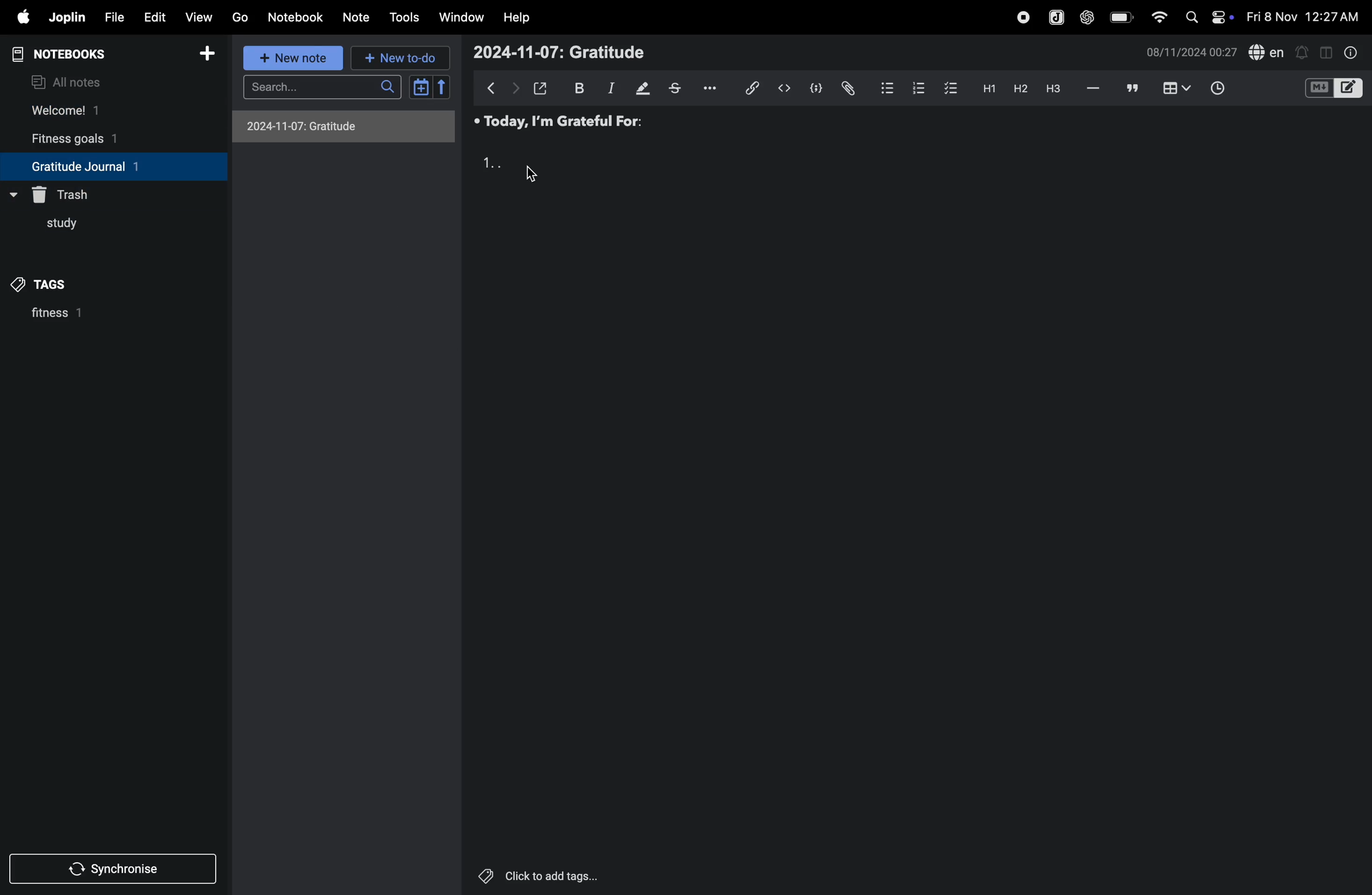 Image resolution: width=1372 pixels, height=895 pixels. Describe the element at coordinates (813, 89) in the screenshot. I see `code` at that location.